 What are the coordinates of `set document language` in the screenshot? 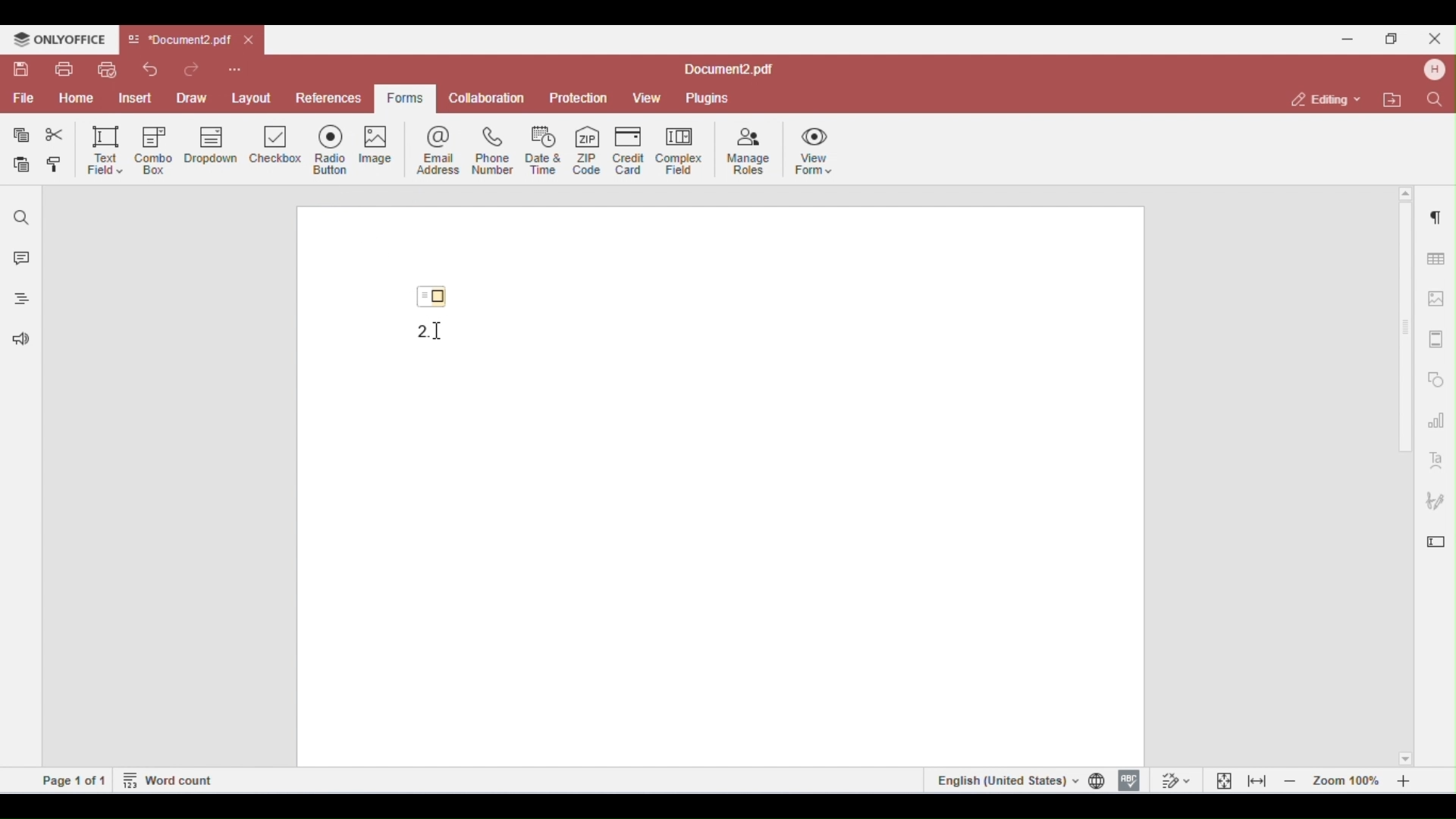 It's located at (1100, 780).